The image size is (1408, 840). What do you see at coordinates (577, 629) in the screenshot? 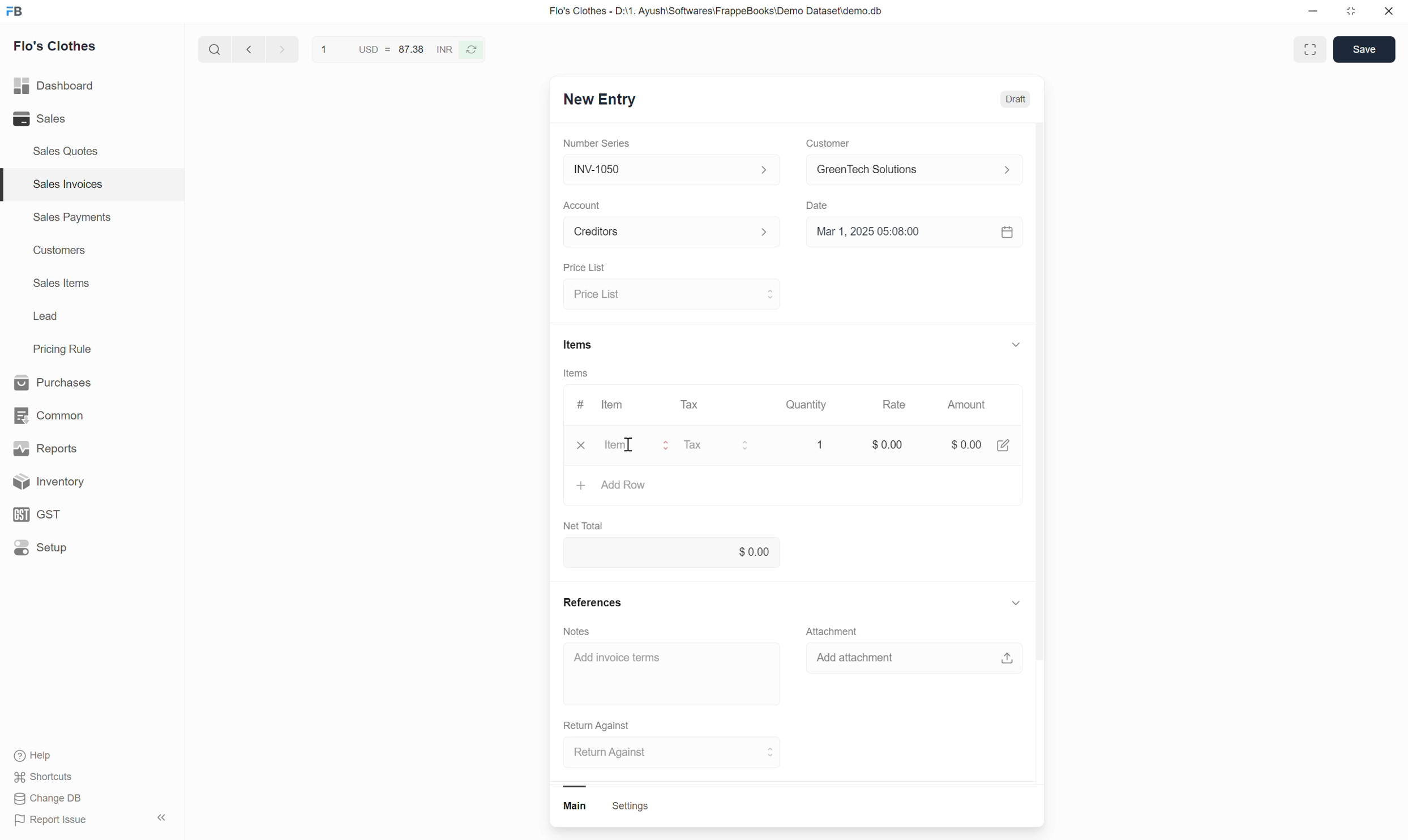
I see `Notes` at bounding box center [577, 629].